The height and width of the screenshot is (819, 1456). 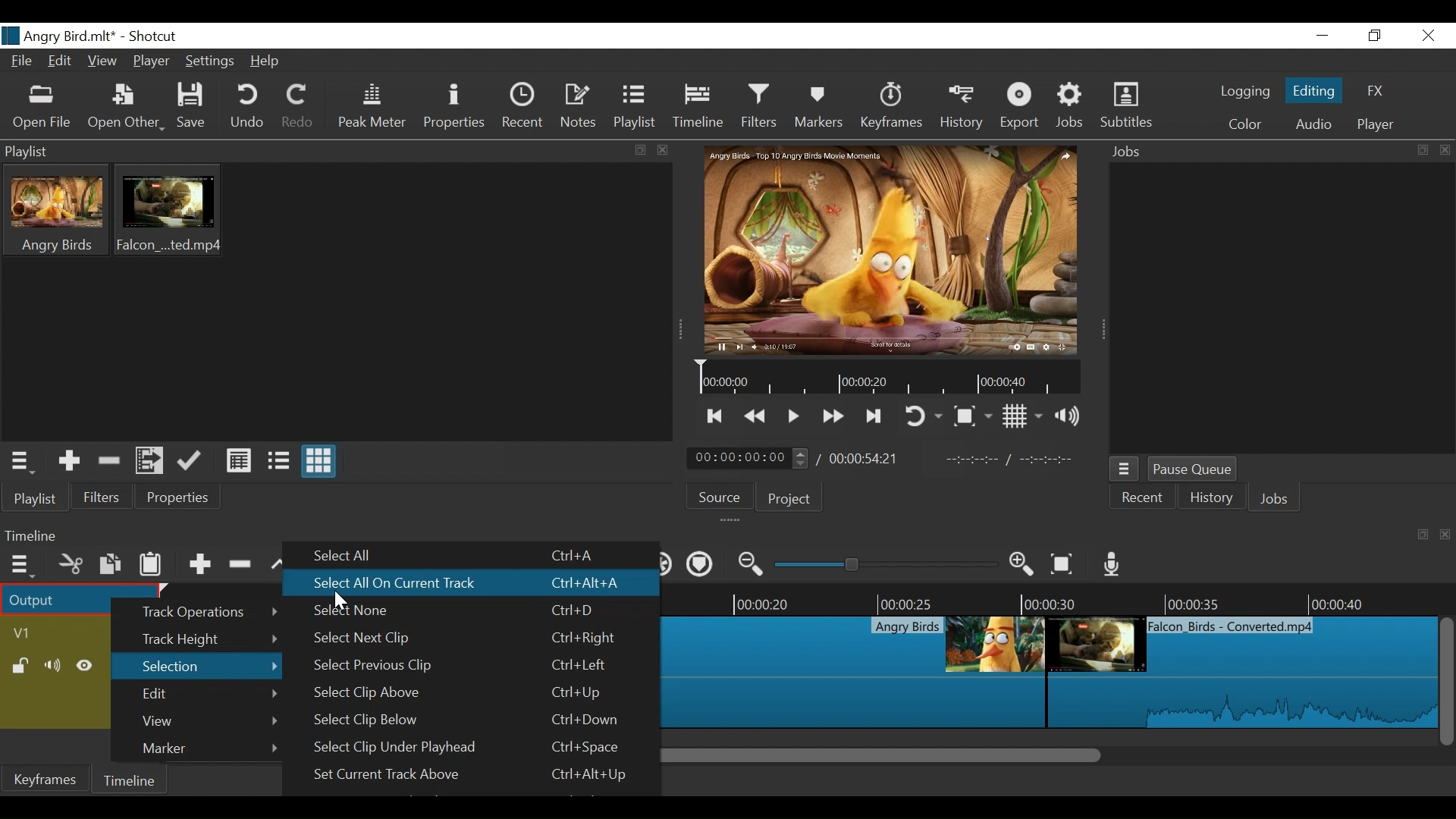 I want to click on Redo, so click(x=299, y=106).